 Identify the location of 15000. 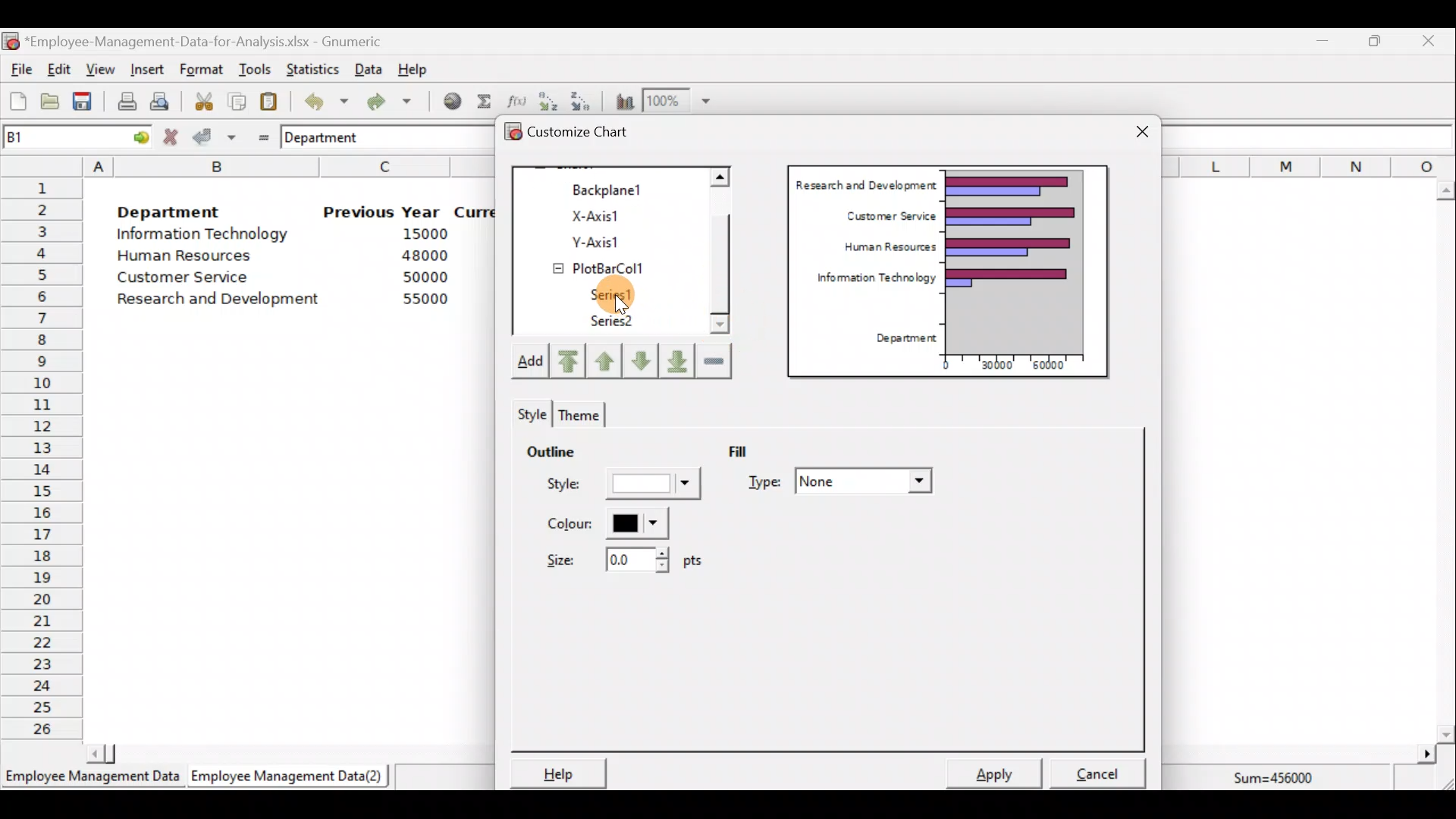
(419, 233).